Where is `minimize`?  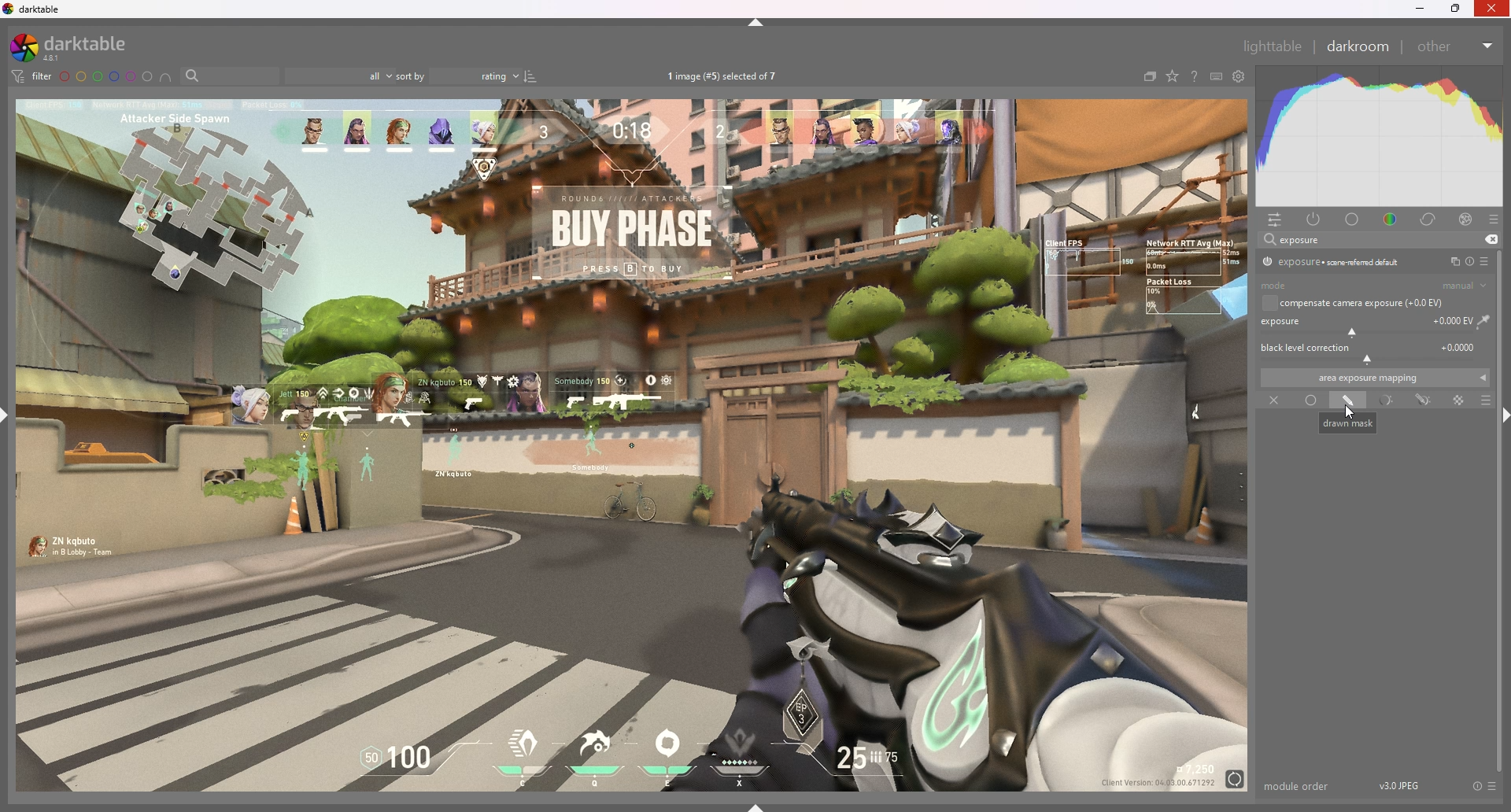
minimize is located at coordinates (1420, 9).